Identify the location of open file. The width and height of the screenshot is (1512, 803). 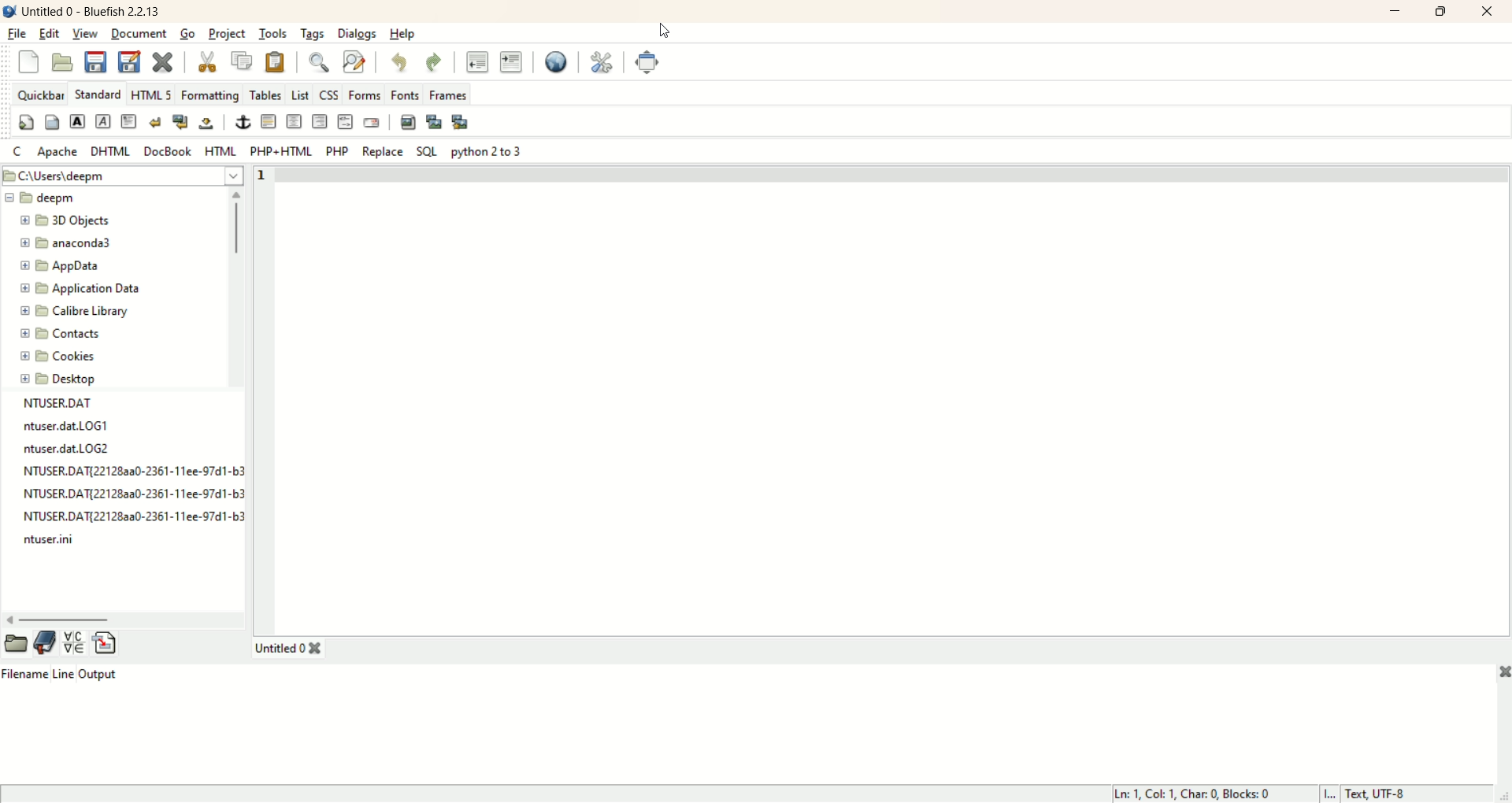
(13, 642).